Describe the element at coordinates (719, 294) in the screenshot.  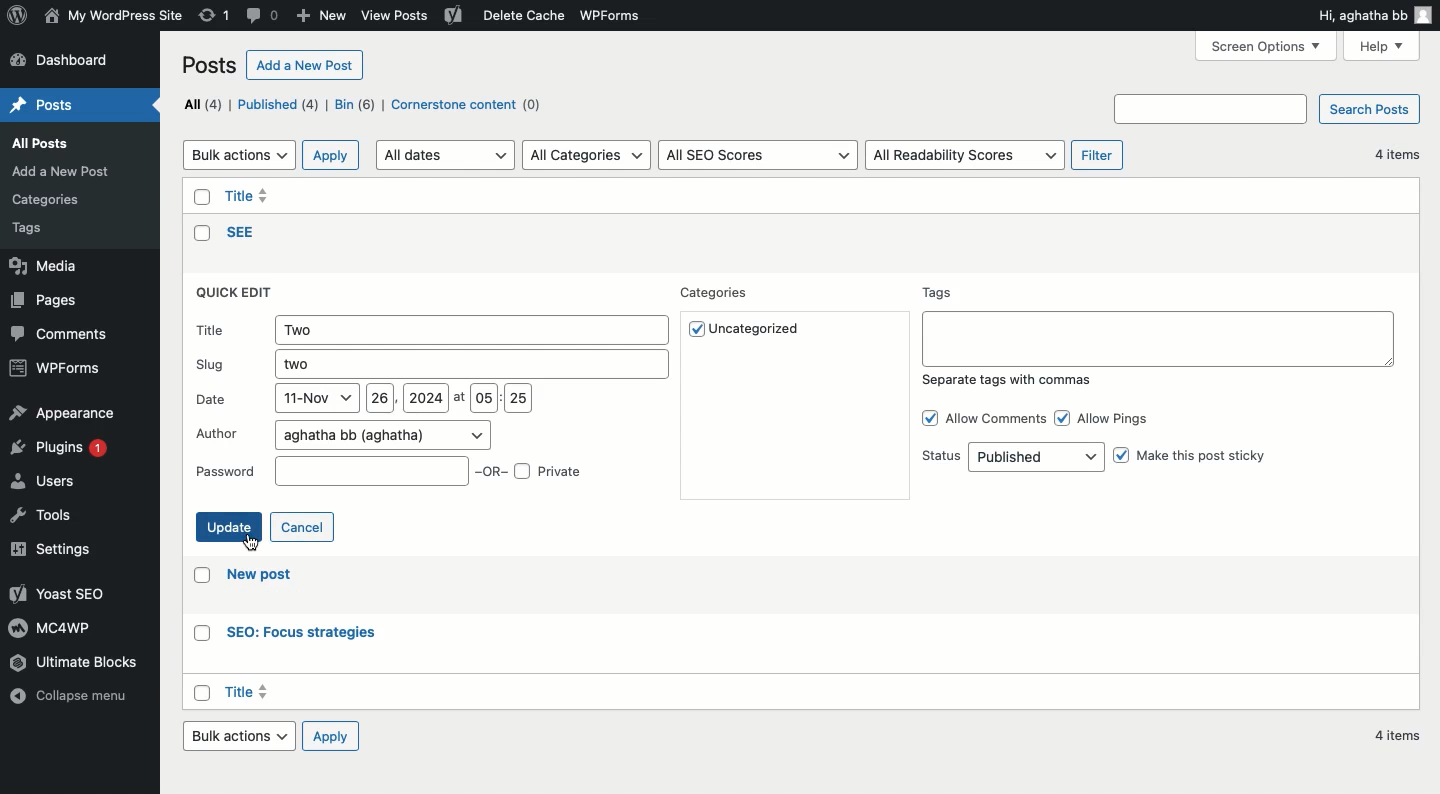
I see `Categories` at that location.